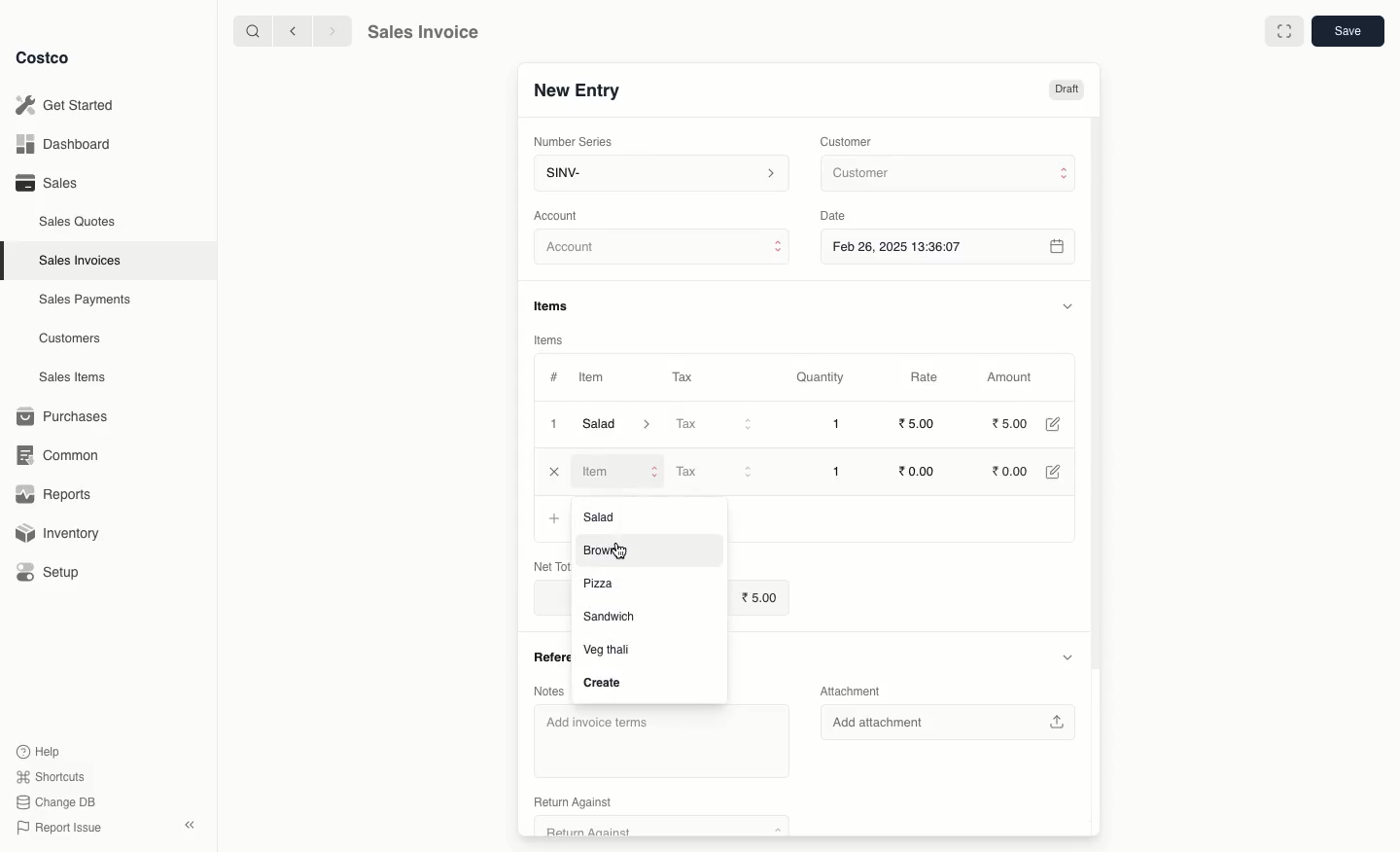 This screenshot has height=852, width=1400. Describe the element at coordinates (713, 470) in the screenshot. I see `Tax` at that location.